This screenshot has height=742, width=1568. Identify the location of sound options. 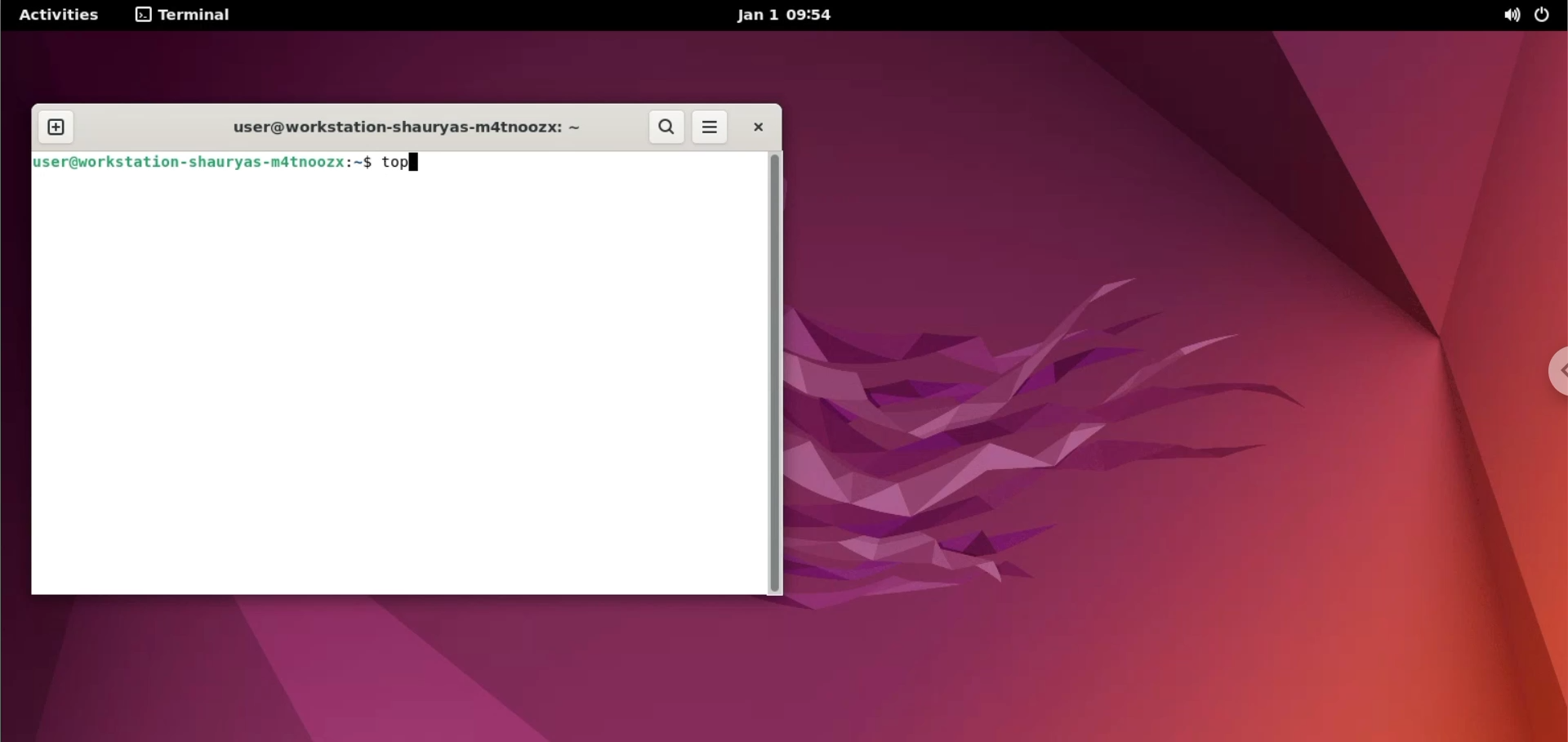
(1510, 17).